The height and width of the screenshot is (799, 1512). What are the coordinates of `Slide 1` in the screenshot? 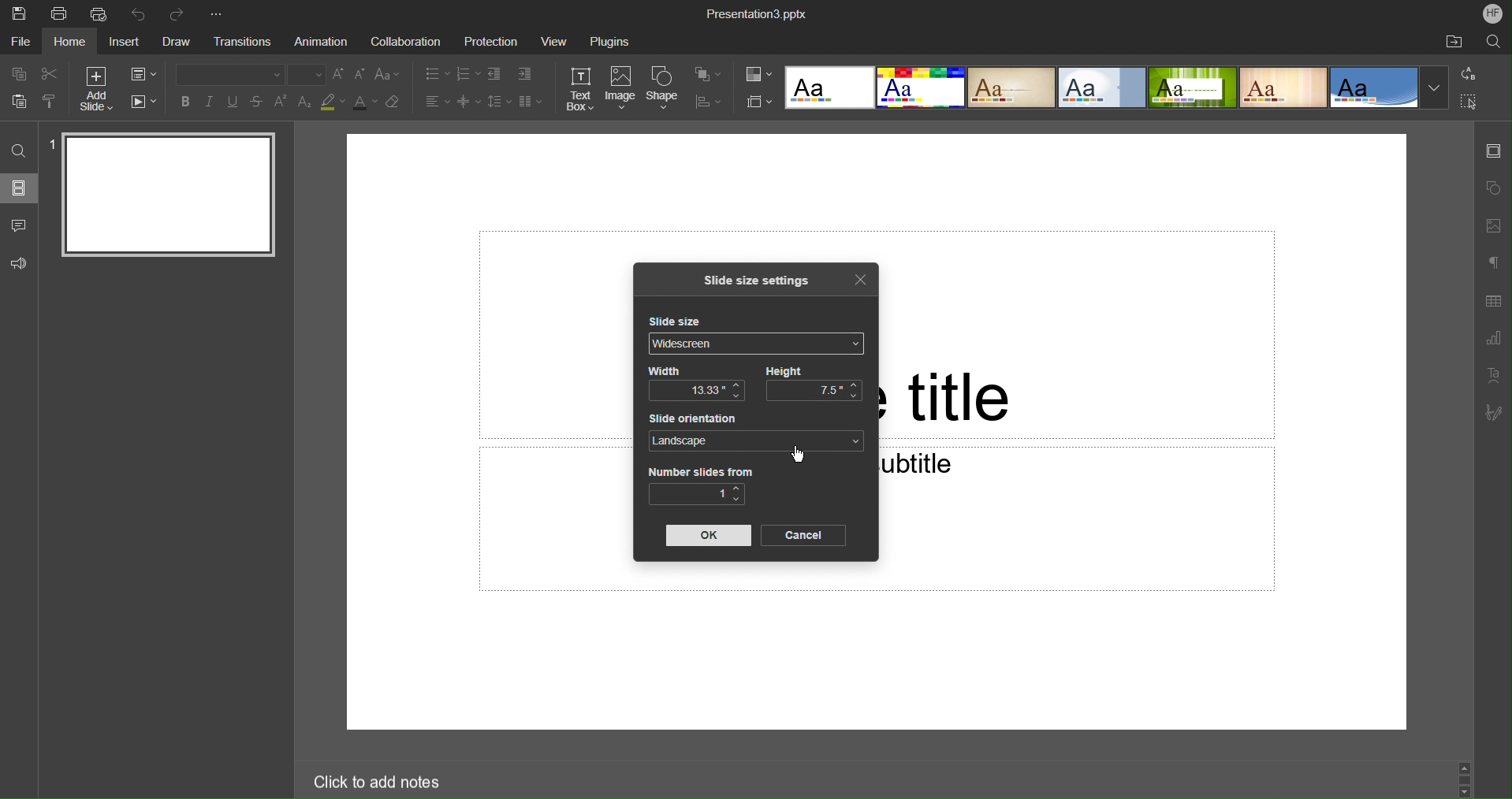 It's located at (164, 196).